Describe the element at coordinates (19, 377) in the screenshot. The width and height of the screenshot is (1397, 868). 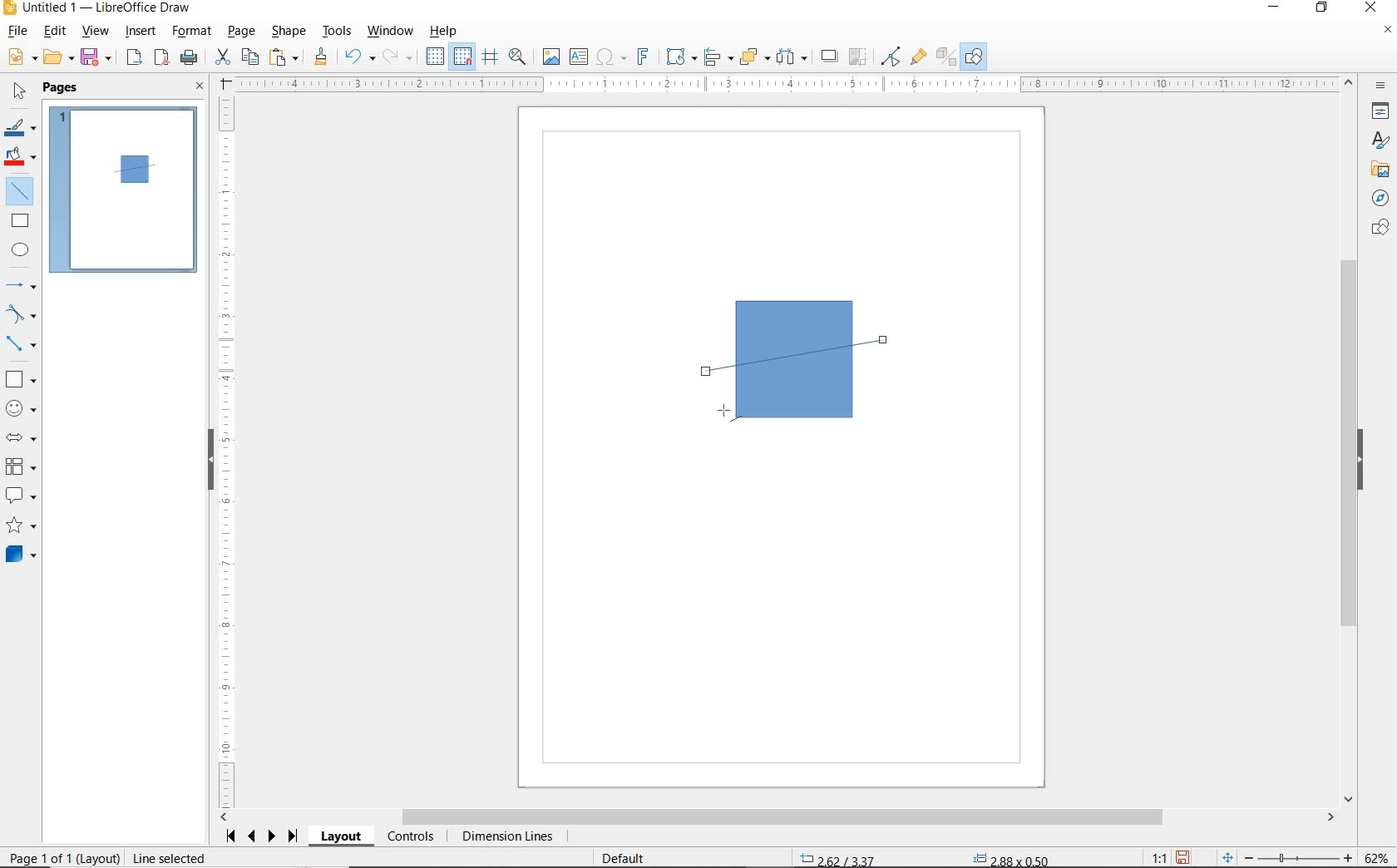
I see `BASIC SHAPES` at that location.